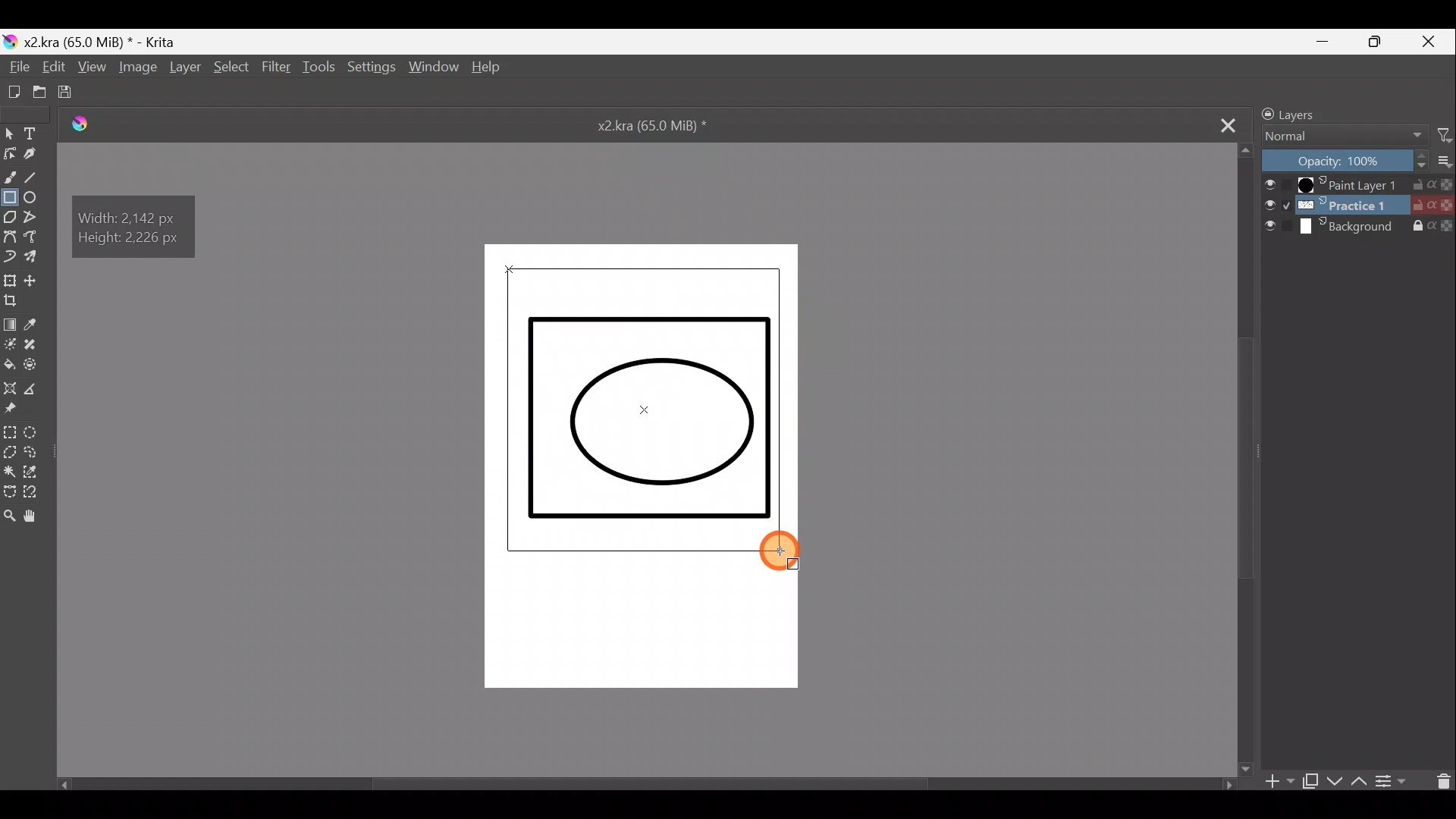 The image size is (1456, 819). I want to click on Settings, so click(371, 69).